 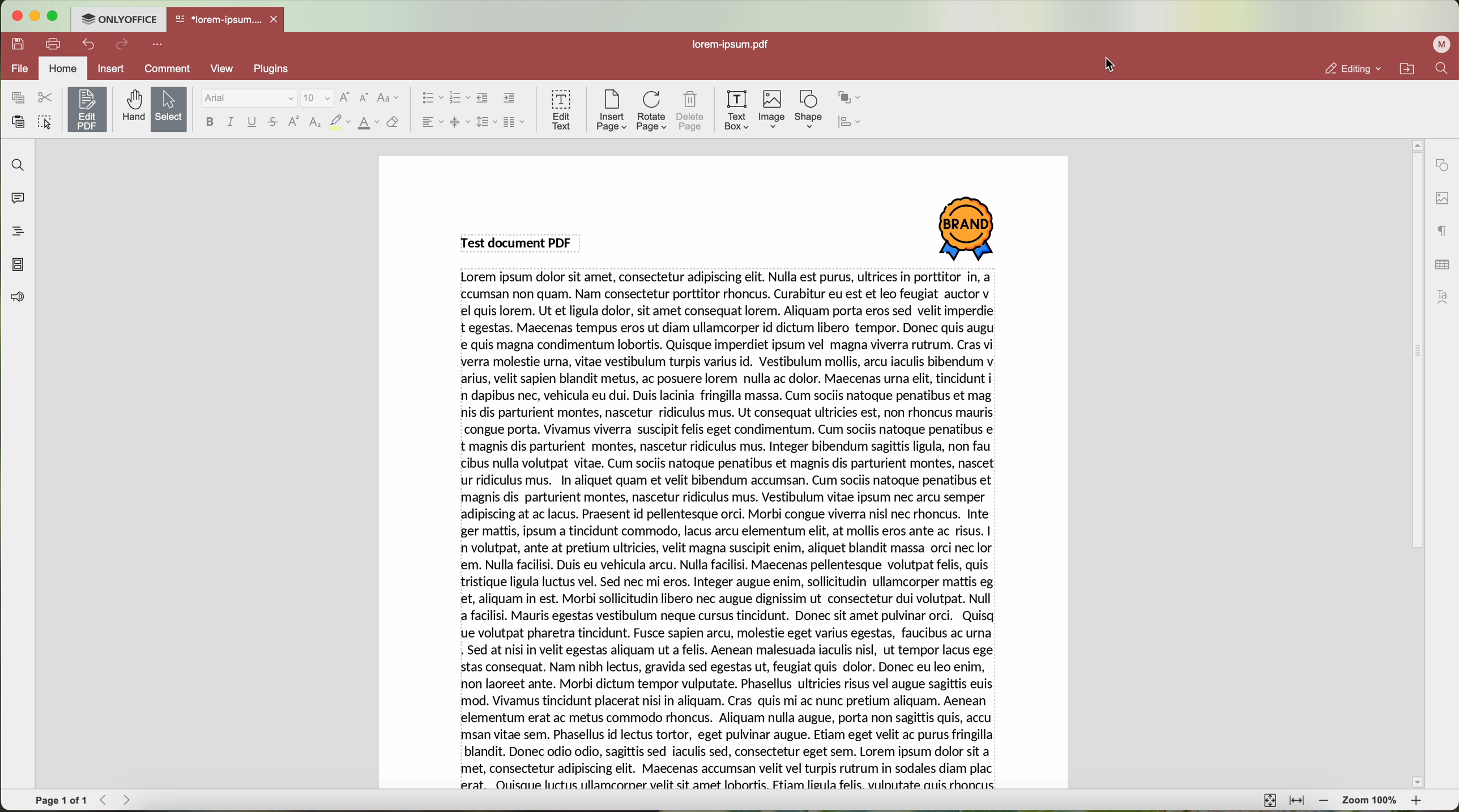 I want to click on align shape, so click(x=852, y=123).